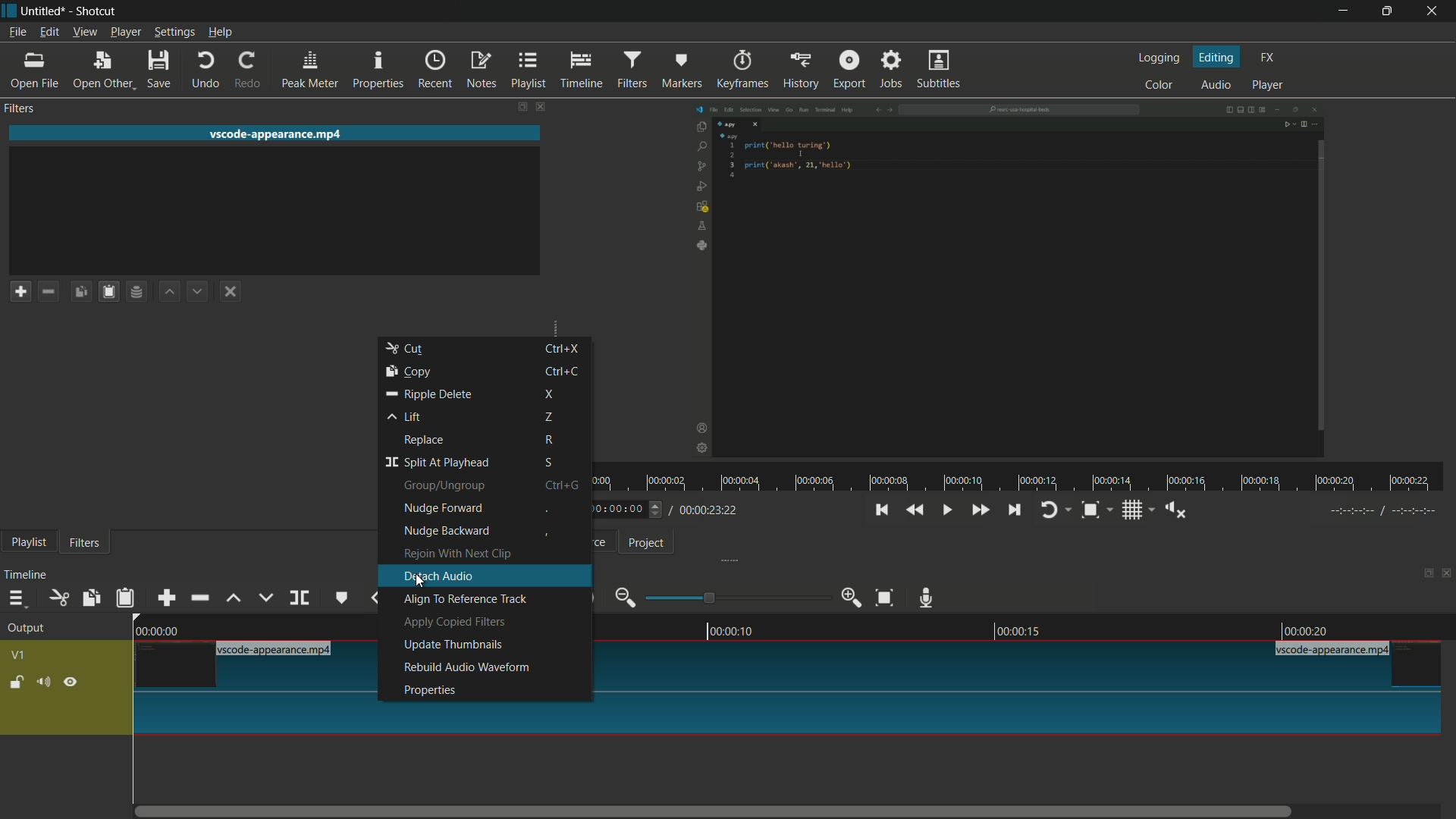 This screenshot has width=1456, height=819. What do you see at coordinates (560, 463) in the screenshot?
I see `s` at bounding box center [560, 463].